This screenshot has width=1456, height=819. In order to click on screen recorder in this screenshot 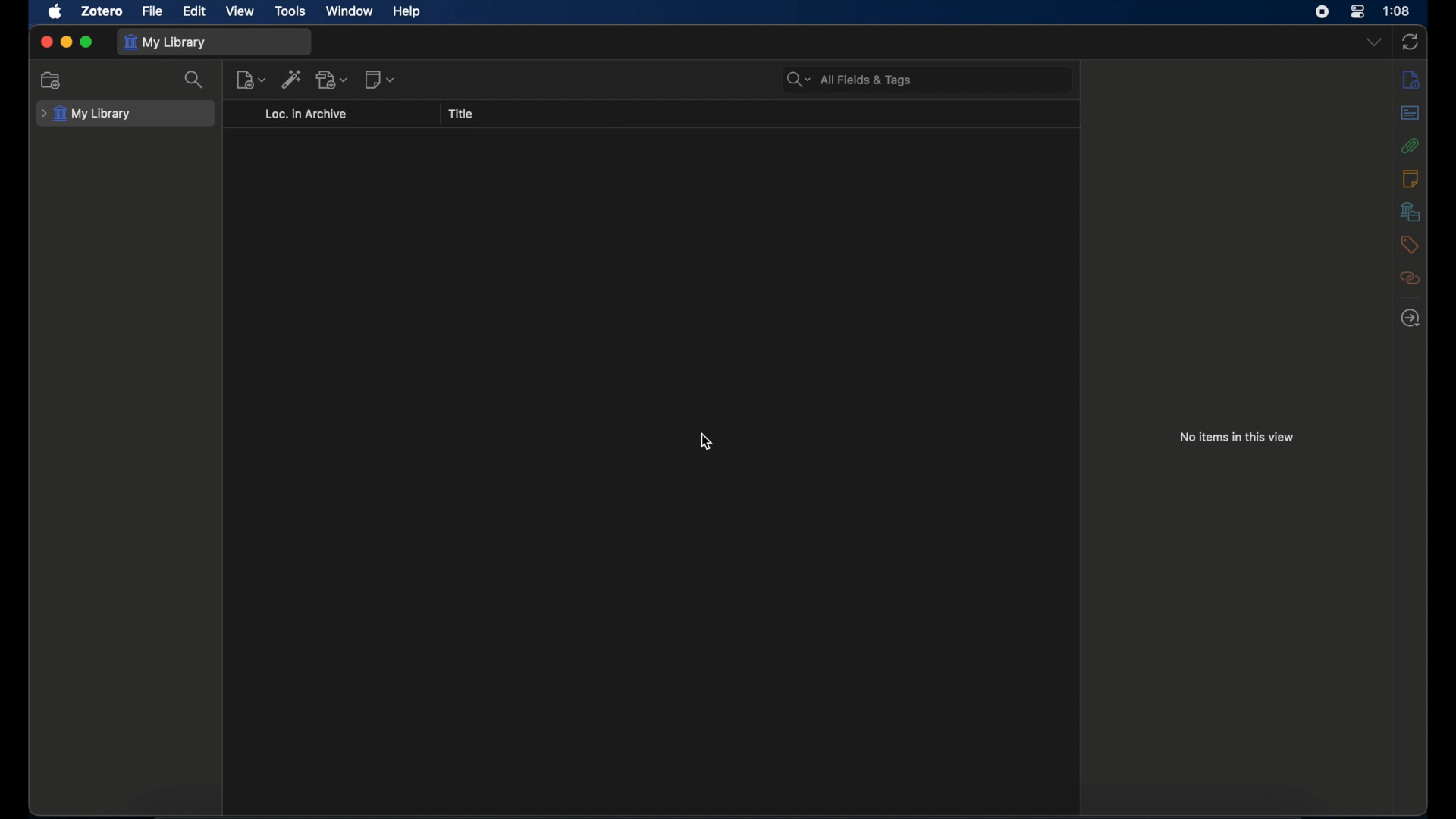, I will do `click(1323, 12)`.